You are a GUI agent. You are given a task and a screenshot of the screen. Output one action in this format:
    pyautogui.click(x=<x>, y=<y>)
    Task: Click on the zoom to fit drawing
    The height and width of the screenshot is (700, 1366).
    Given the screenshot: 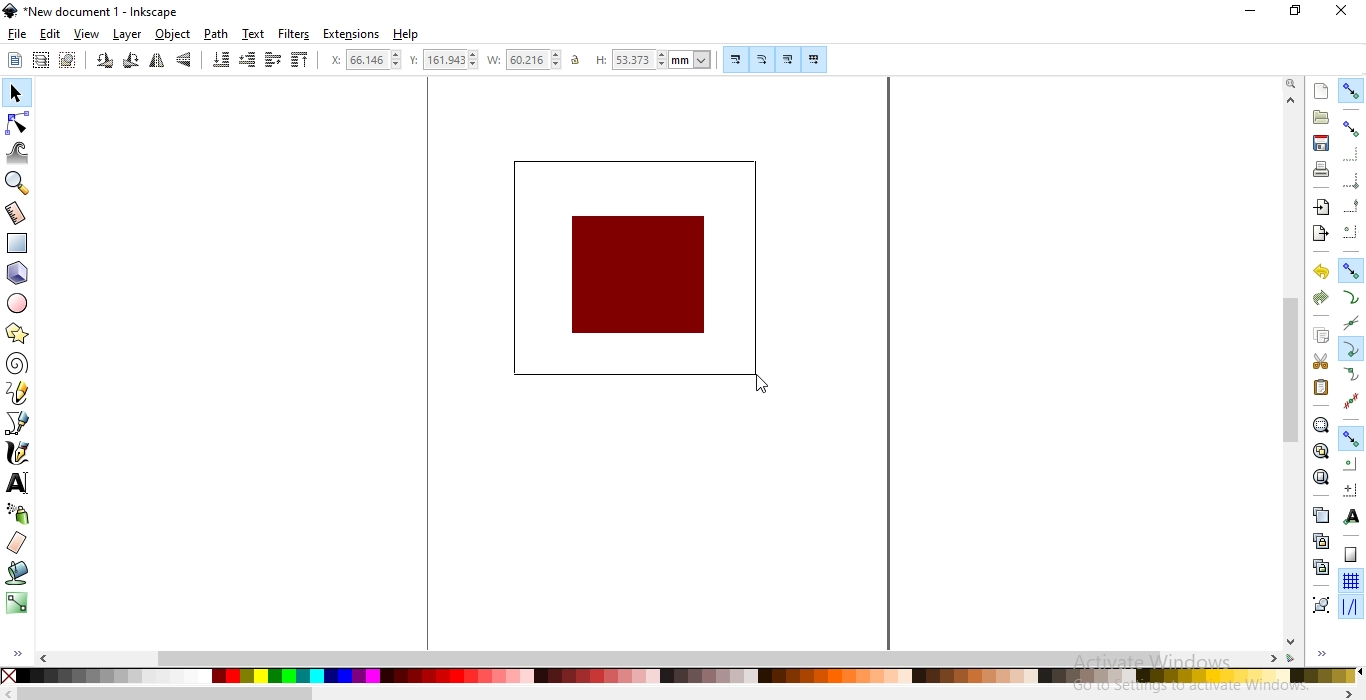 What is the action you would take?
    pyautogui.click(x=1319, y=451)
    